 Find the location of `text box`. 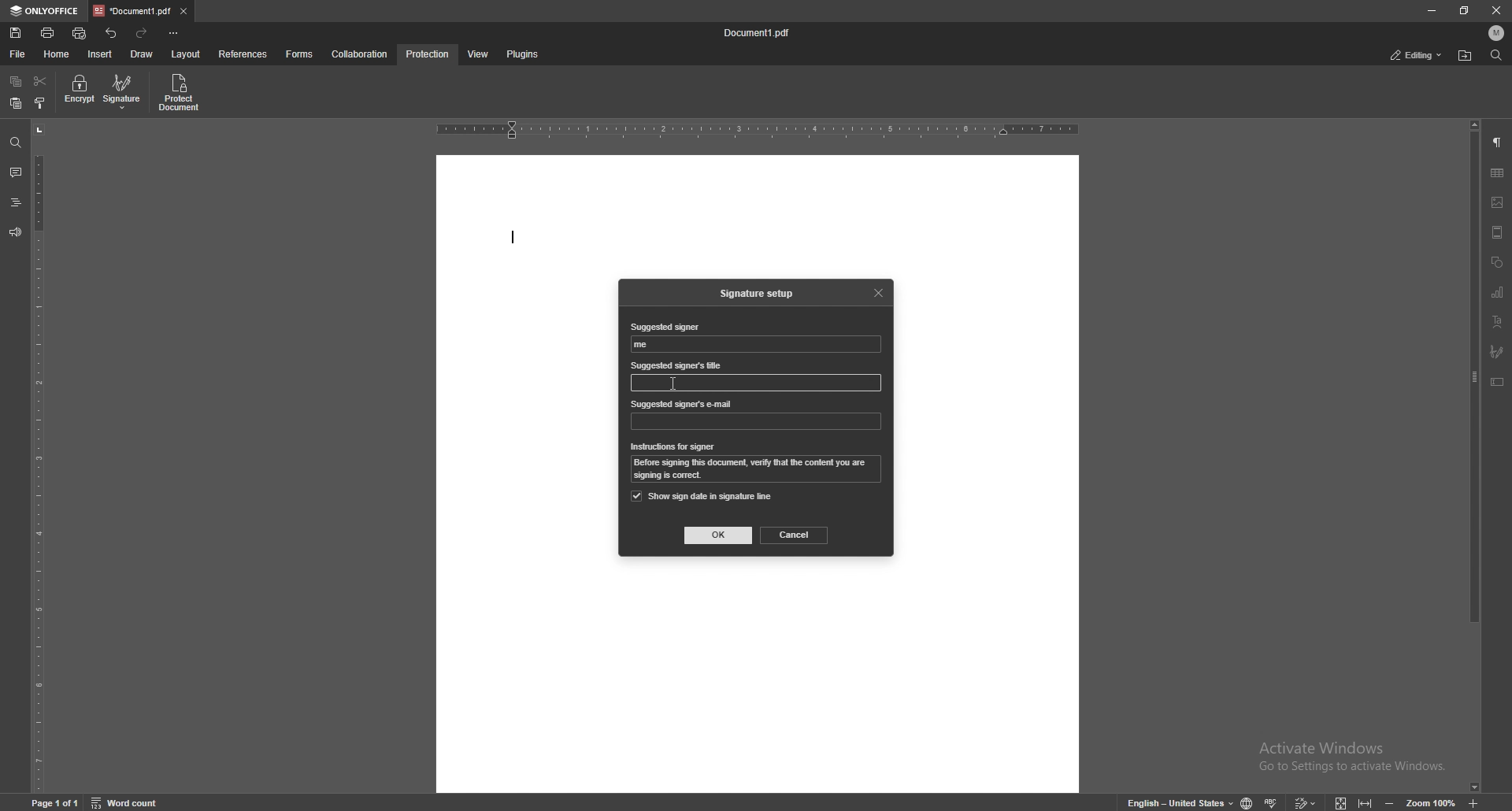

text box is located at coordinates (1497, 382).